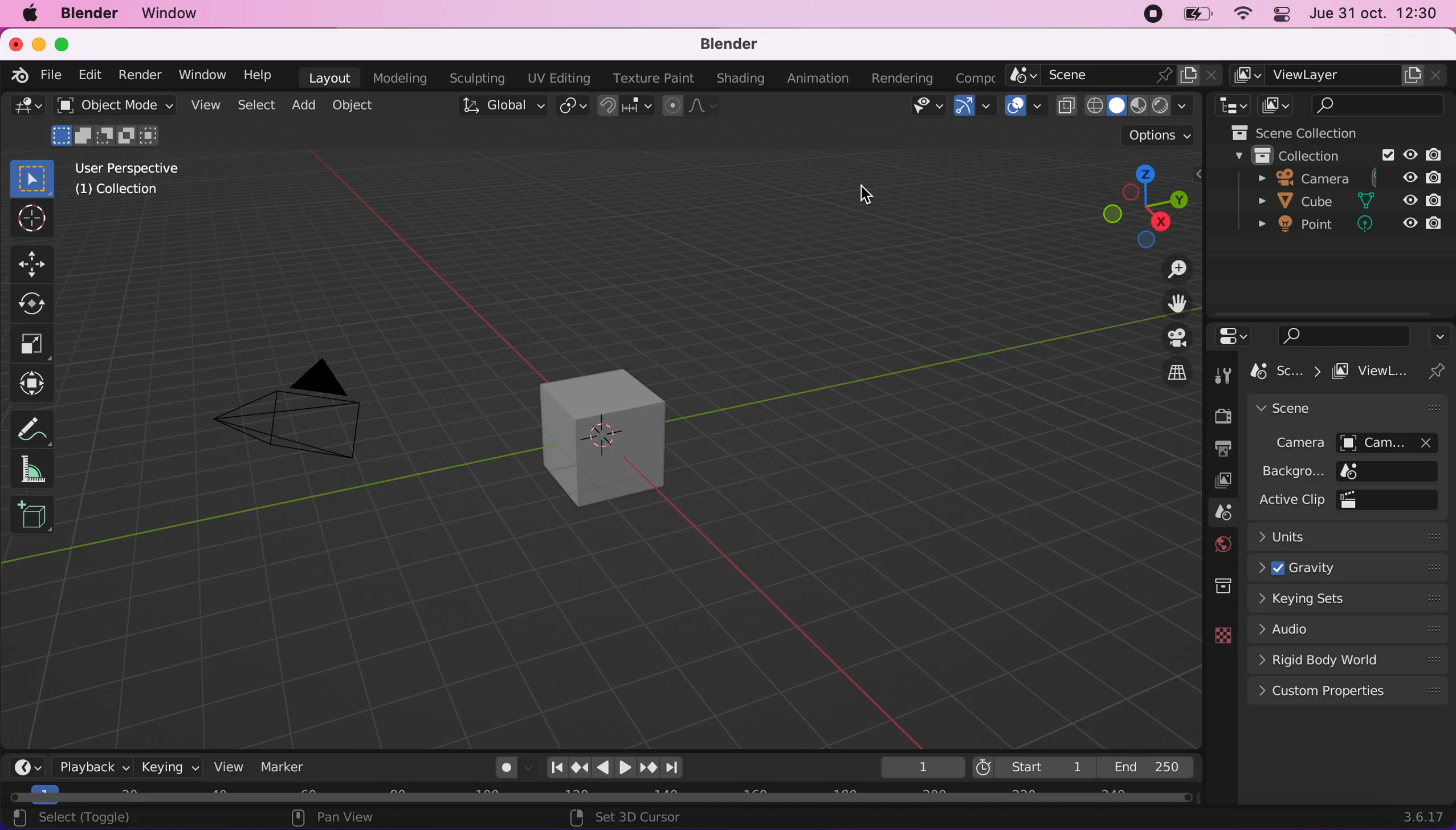  I want to click on editor type, so click(1235, 334).